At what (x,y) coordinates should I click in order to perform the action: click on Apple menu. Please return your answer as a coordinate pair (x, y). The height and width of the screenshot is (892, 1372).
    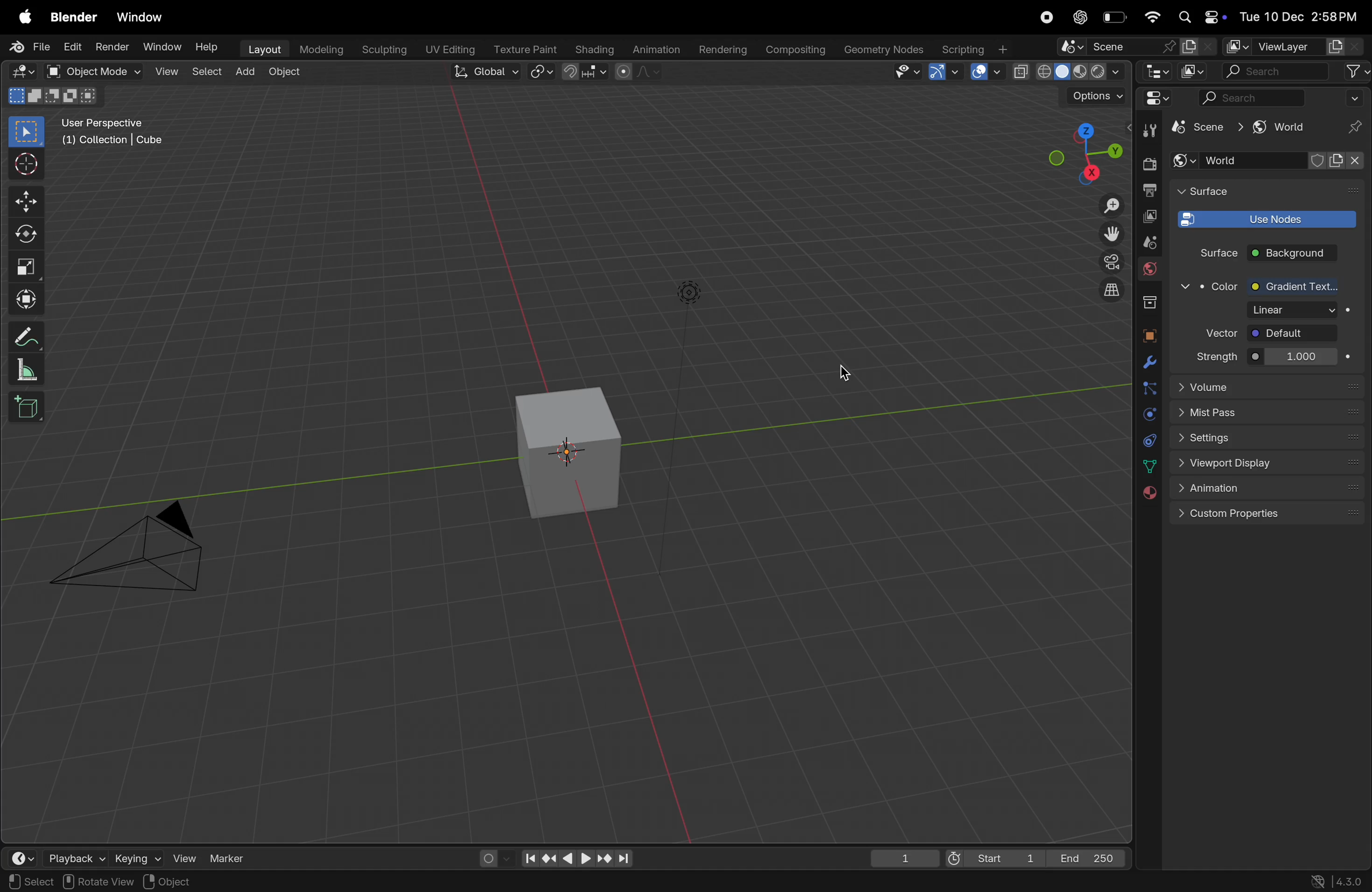
    Looking at the image, I should click on (19, 17).